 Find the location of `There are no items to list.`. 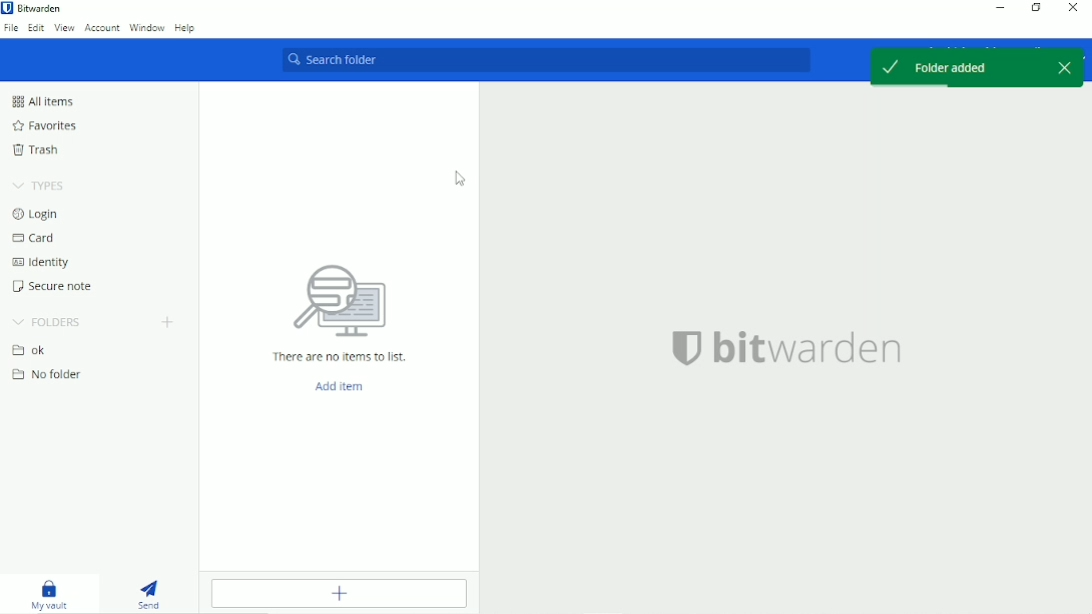

There are no items to list. is located at coordinates (339, 355).